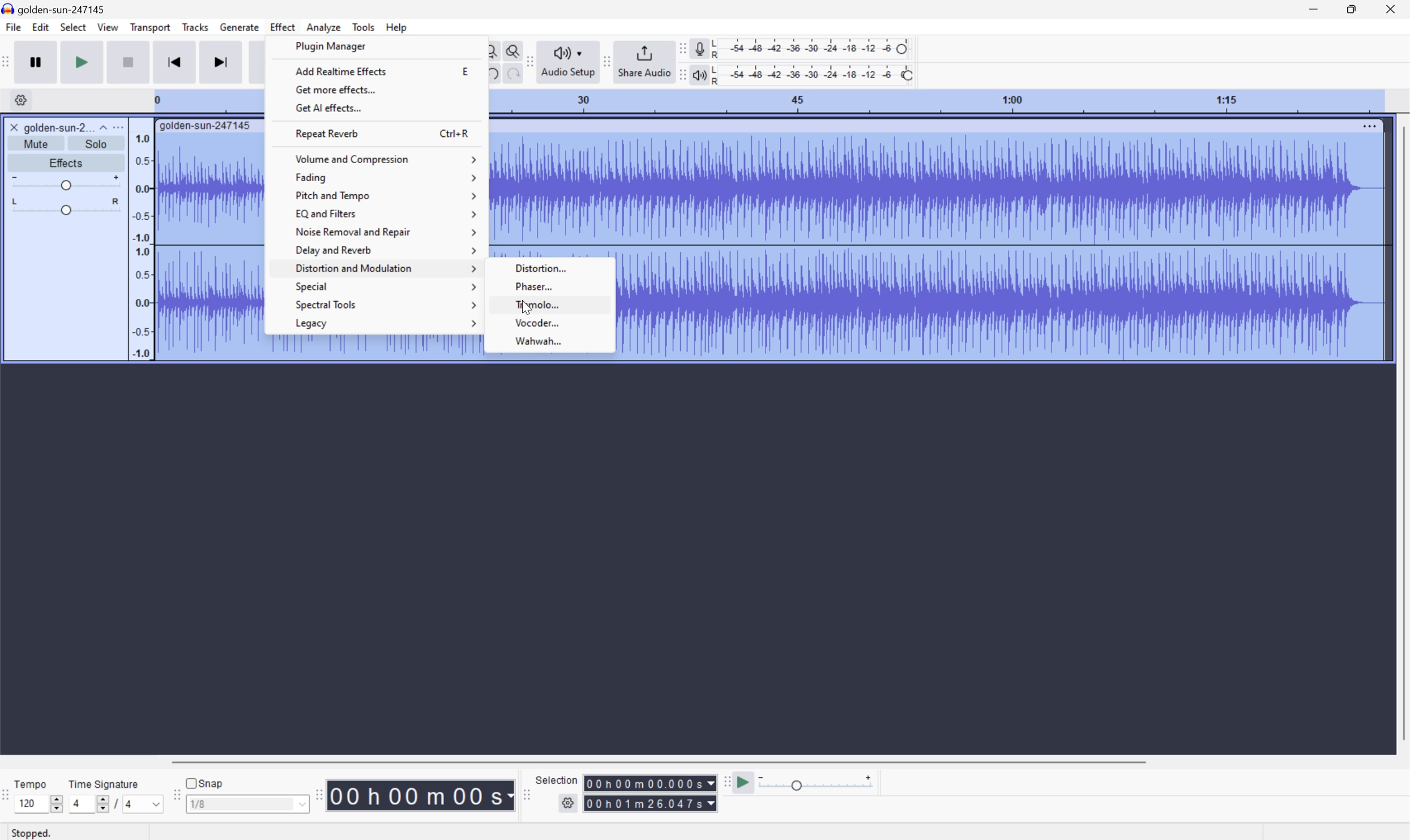 The width and height of the screenshot is (1410, 840). What do you see at coordinates (36, 143) in the screenshot?
I see `Mute` at bounding box center [36, 143].